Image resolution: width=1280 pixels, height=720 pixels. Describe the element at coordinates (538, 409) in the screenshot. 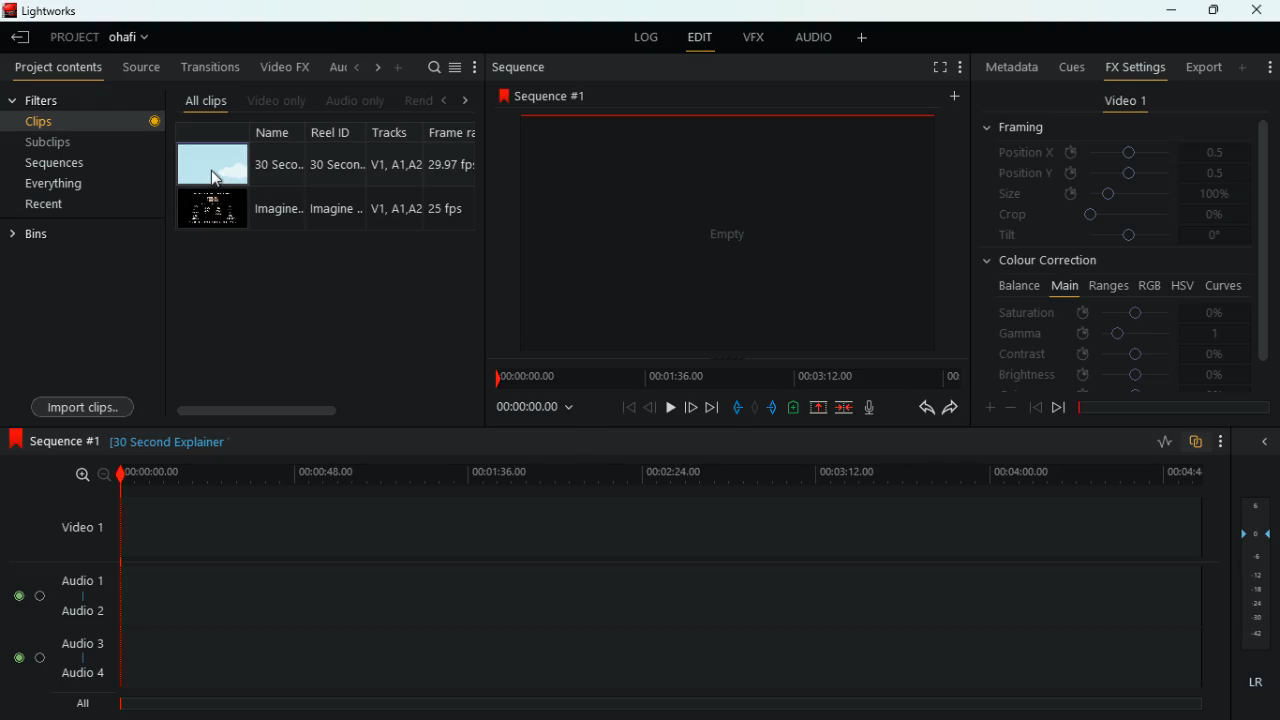

I see `time` at that location.